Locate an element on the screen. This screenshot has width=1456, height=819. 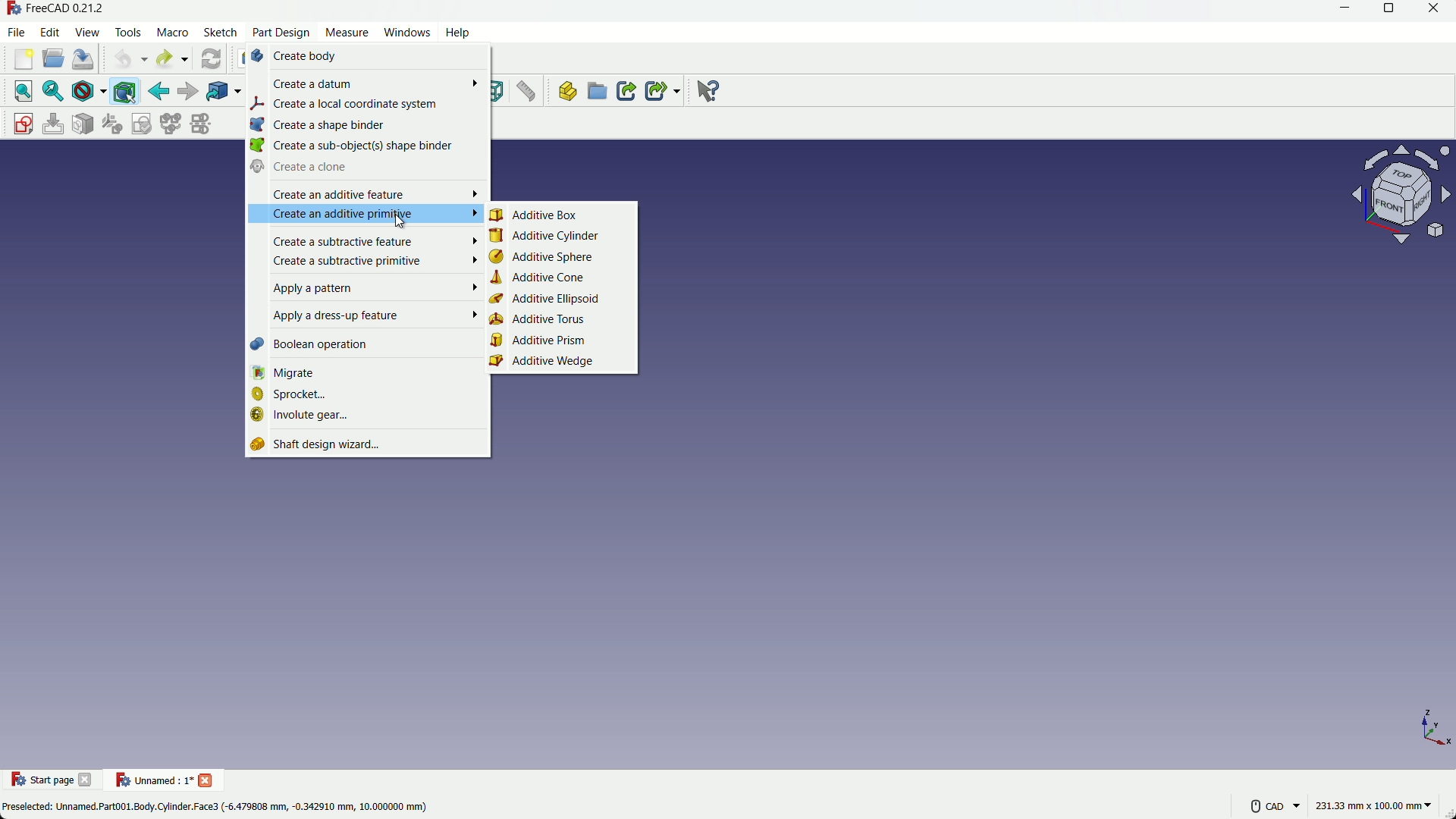
close is located at coordinates (88, 779).